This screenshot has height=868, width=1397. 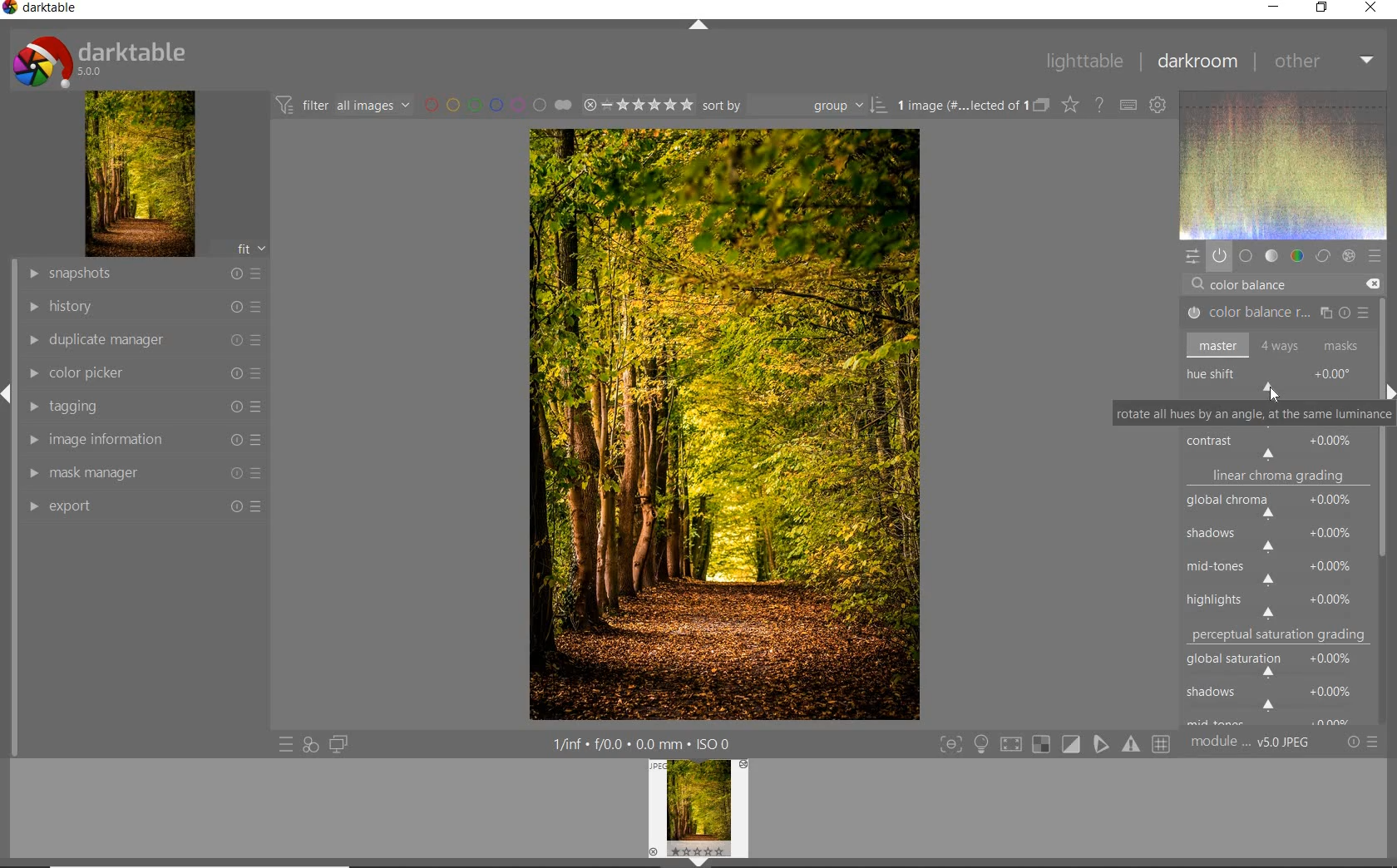 What do you see at coordinates (1069, 106) in the screenshot?
I see `change type of overlay` at bounding box center [1069, 106].